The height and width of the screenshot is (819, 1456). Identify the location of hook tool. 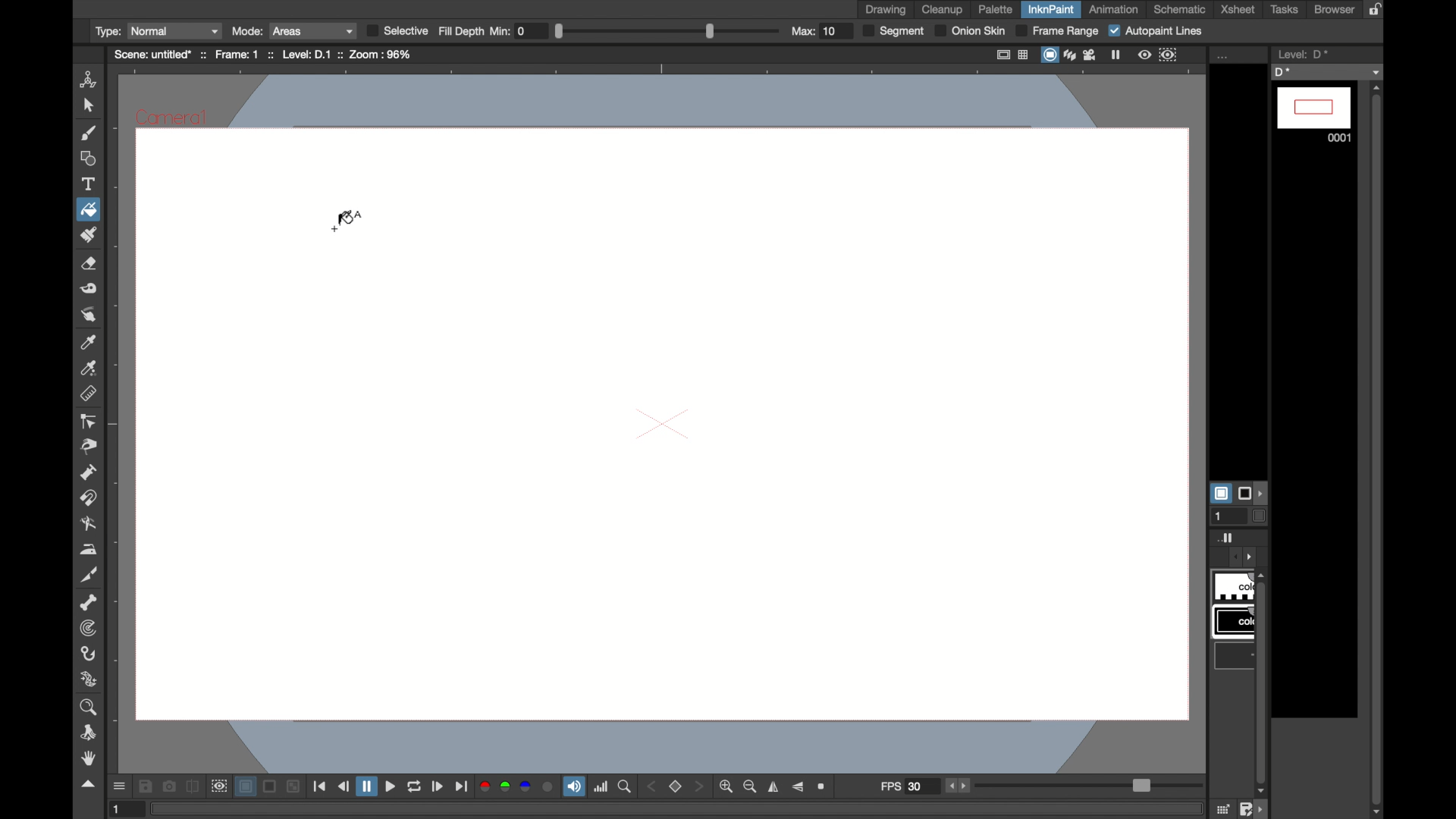
(87, 654).